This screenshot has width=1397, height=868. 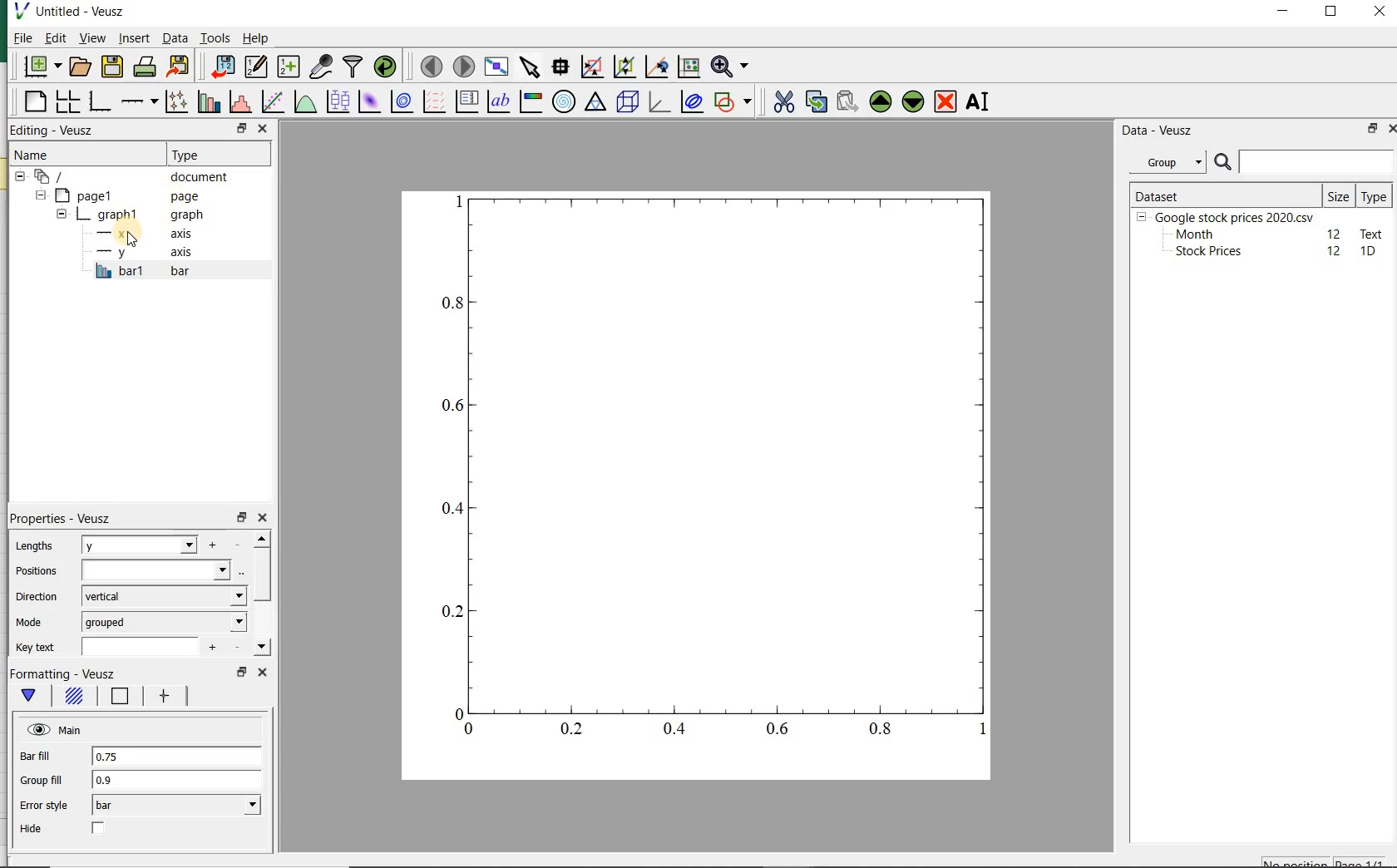 What do you see at coordinates (271, 102) in the screenshot?
I see `fit a function to data` at bounding box center [271, 102].